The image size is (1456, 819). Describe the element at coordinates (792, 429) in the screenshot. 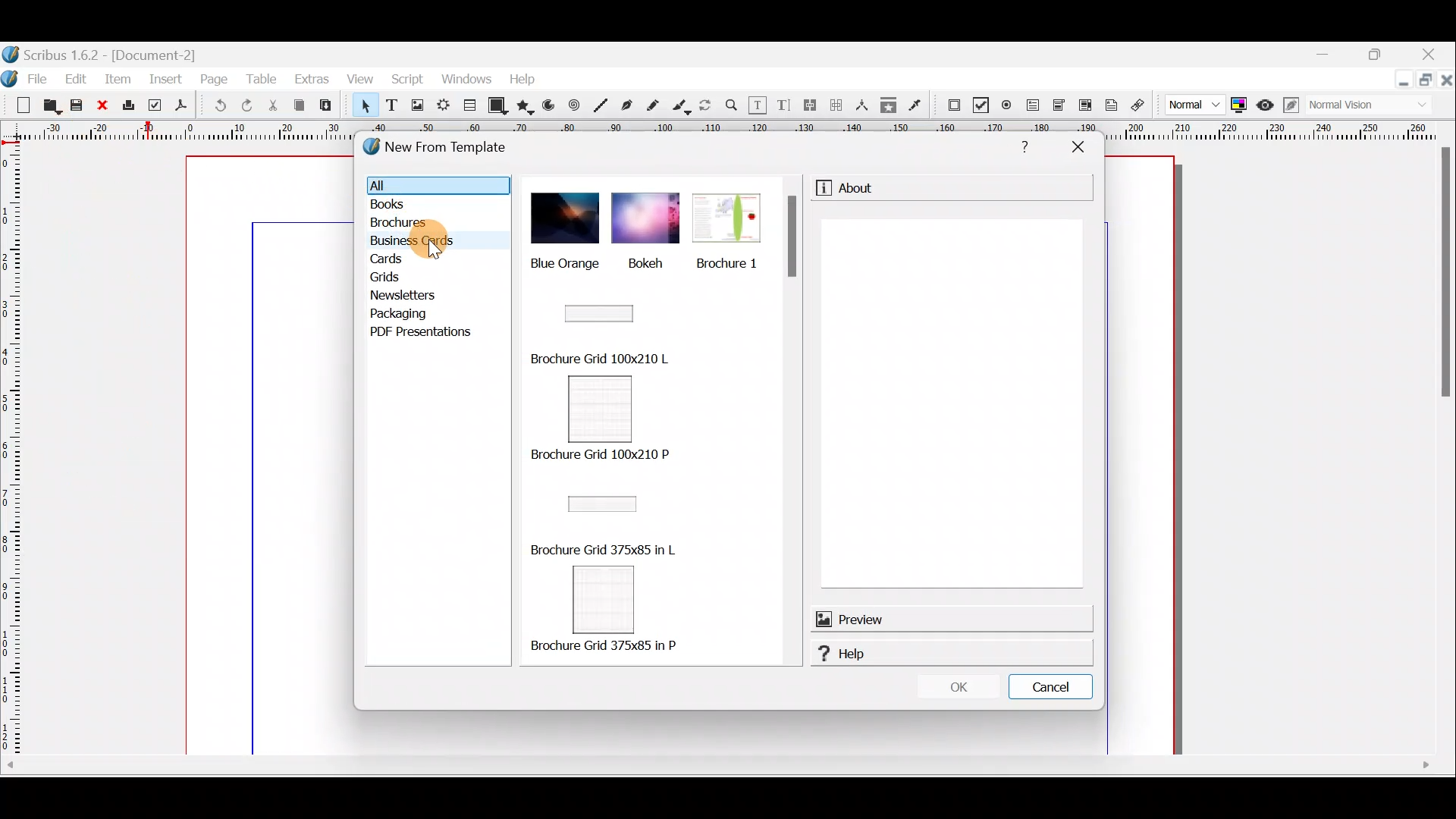

I see `Scroll bar` at that location.